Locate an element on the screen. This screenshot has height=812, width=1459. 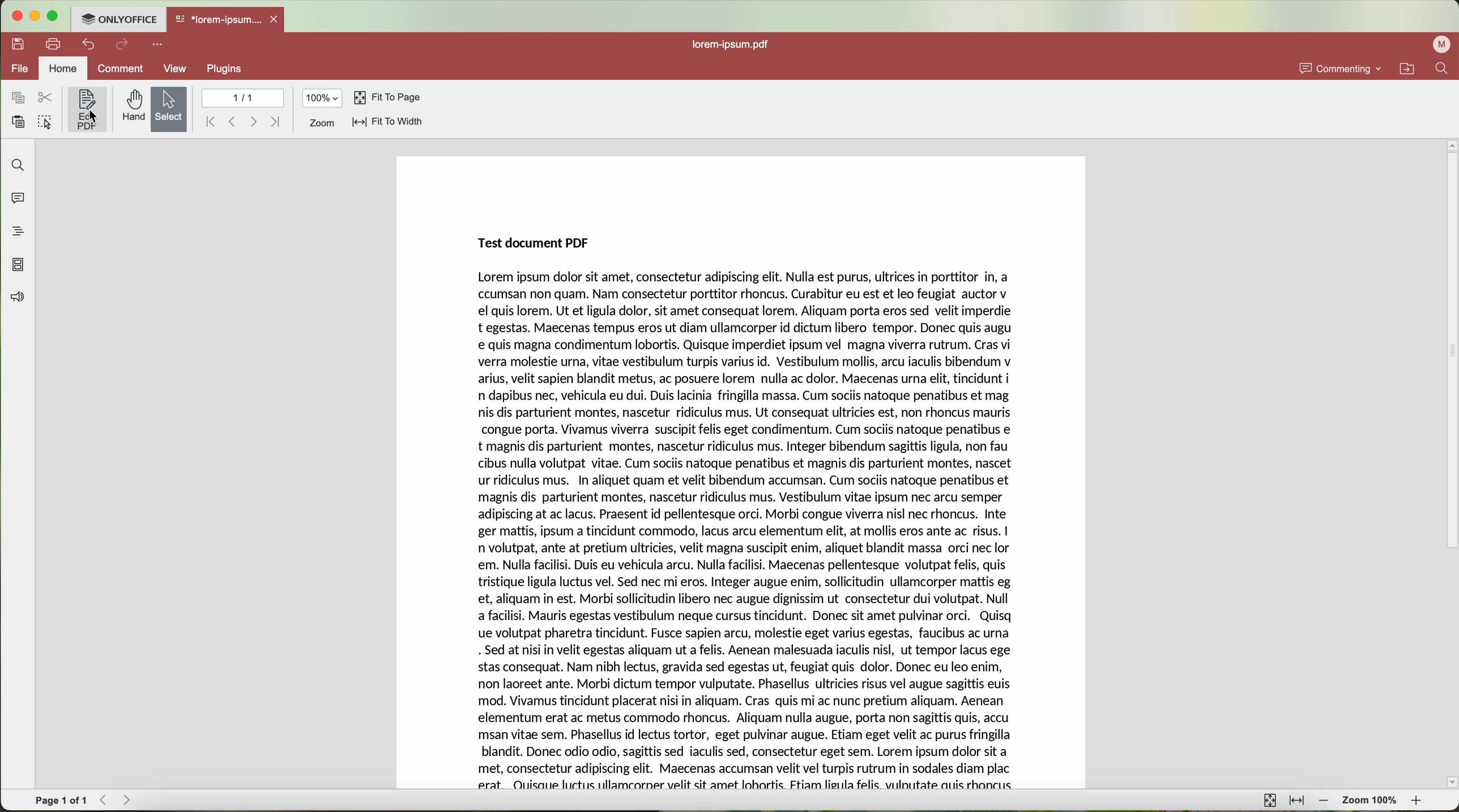
zoom is located at coordinates (321, 123).